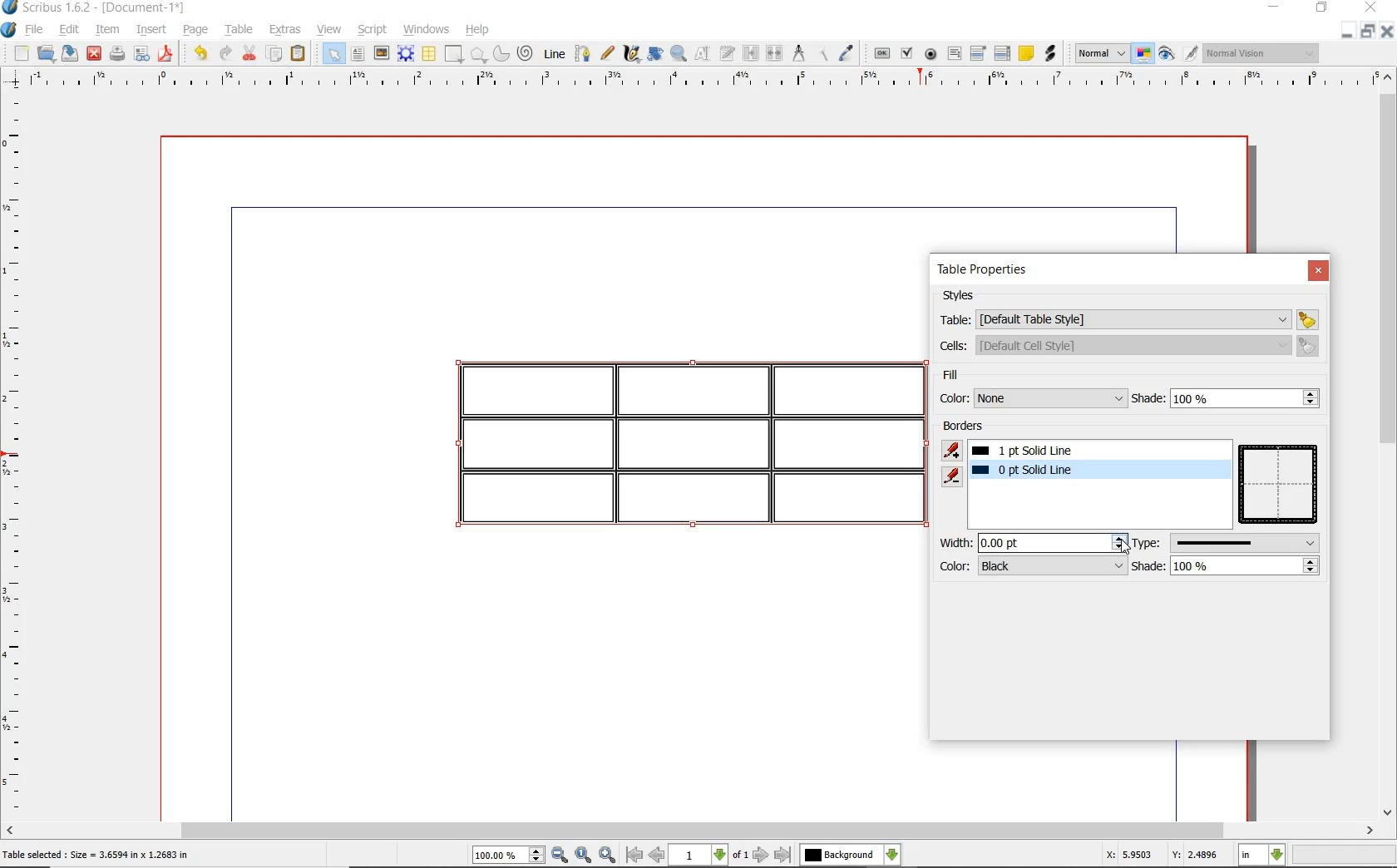 Image resolution: width=1397 pixels, height=868 pixels. I want to click on pdf list box, so click(1003, 53).